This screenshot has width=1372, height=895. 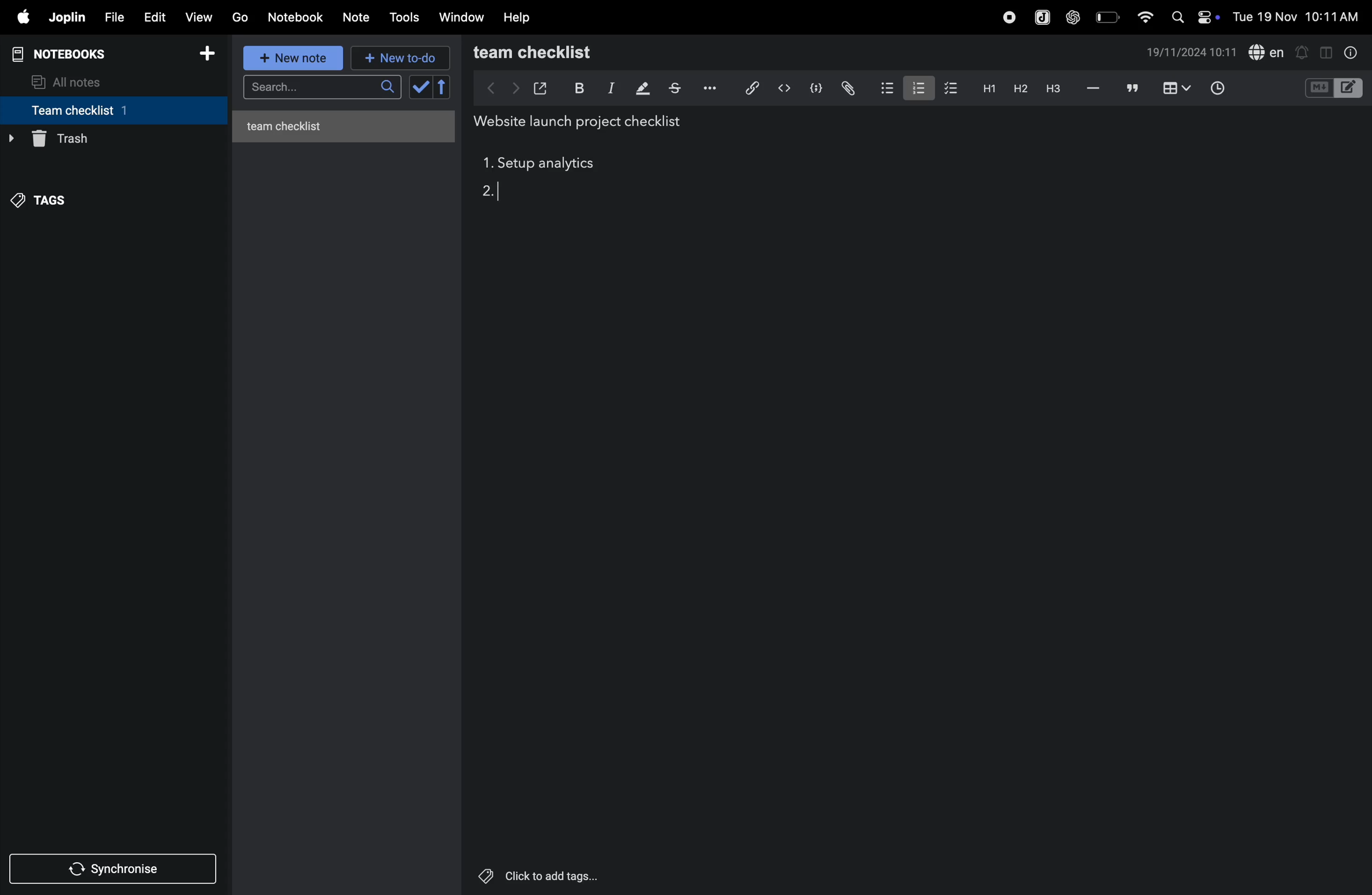 I want to click on open window, so click(x=541, y=86).